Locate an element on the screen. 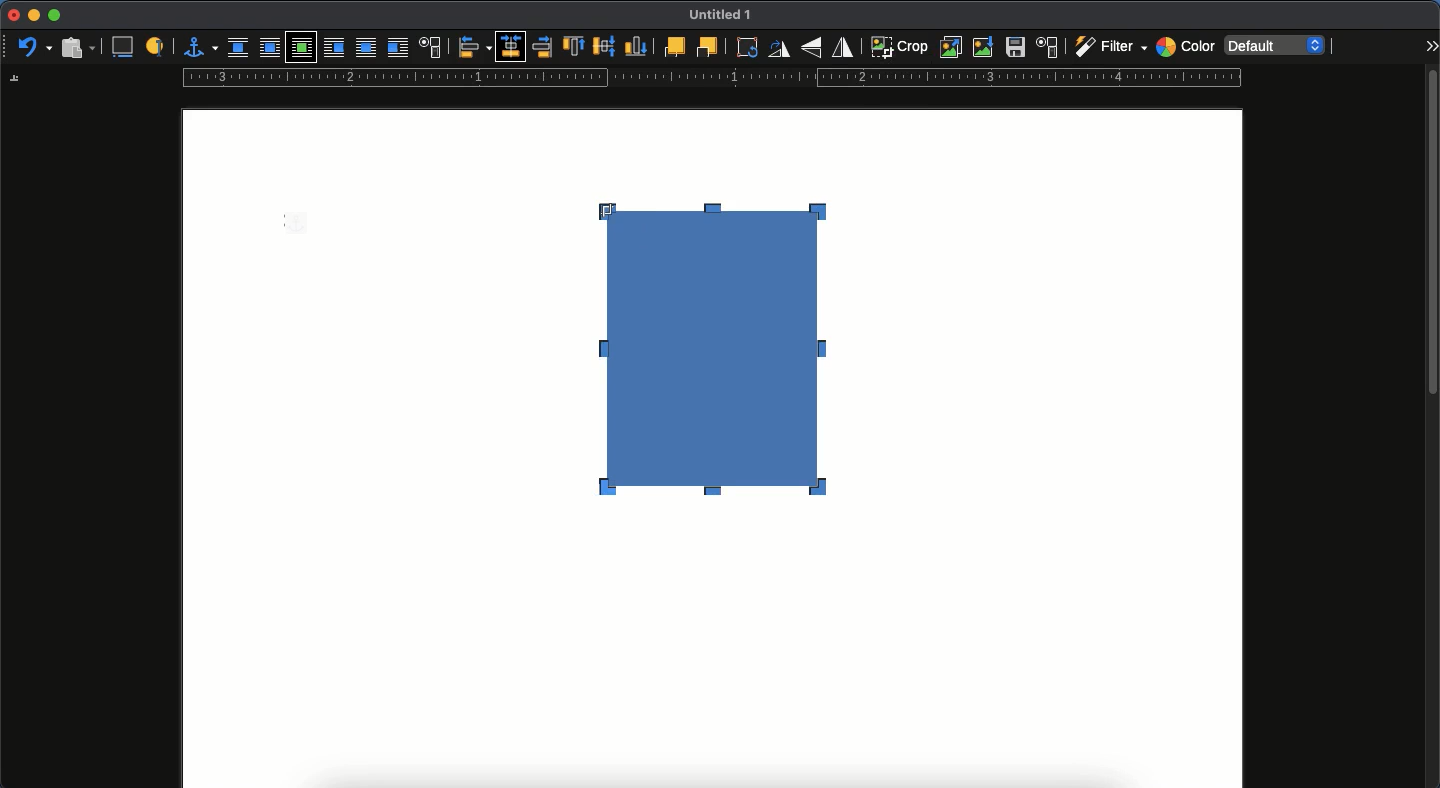  minimize is located at coordinates (33, 15).